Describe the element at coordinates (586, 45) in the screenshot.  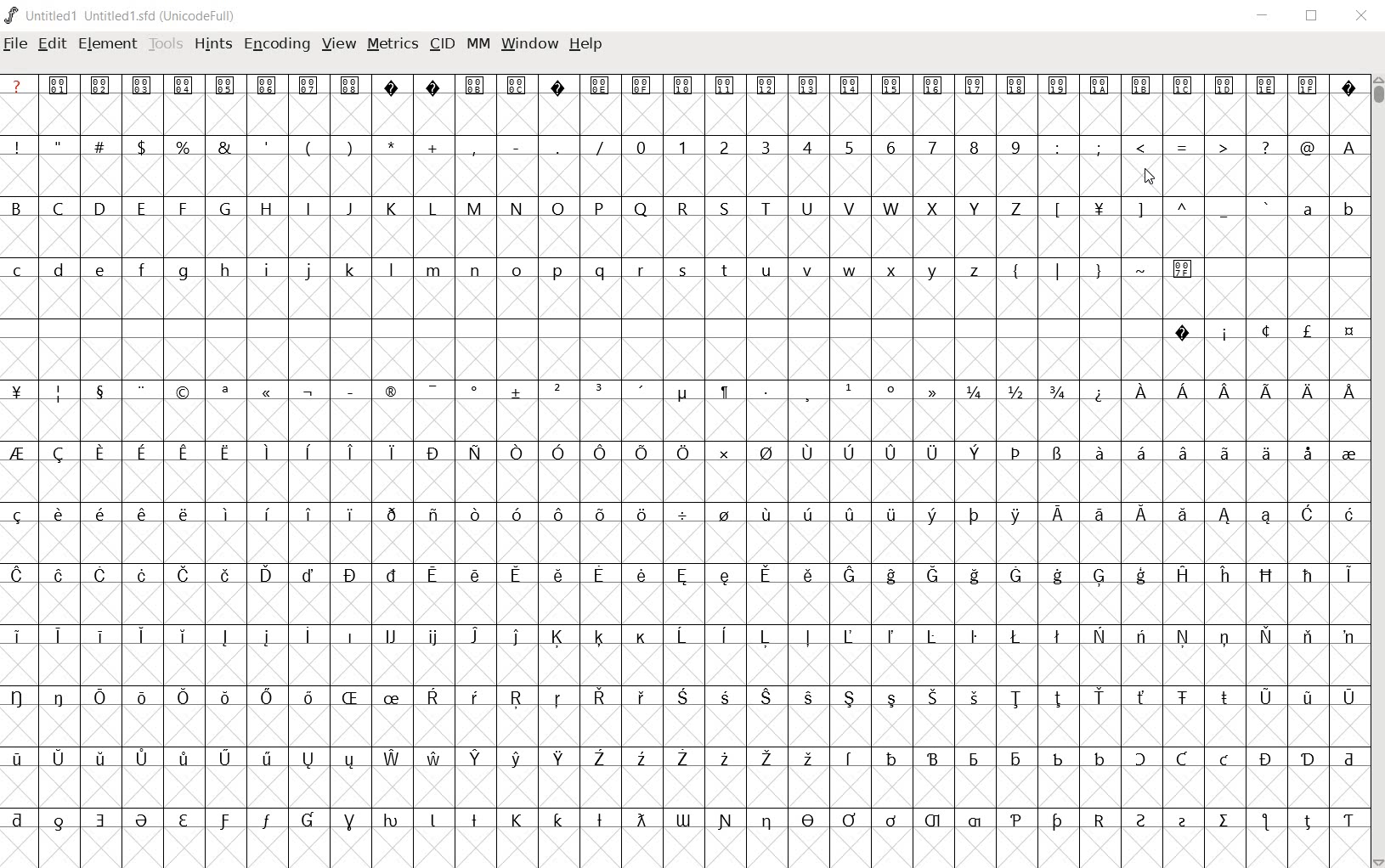
I see `help` at that location.